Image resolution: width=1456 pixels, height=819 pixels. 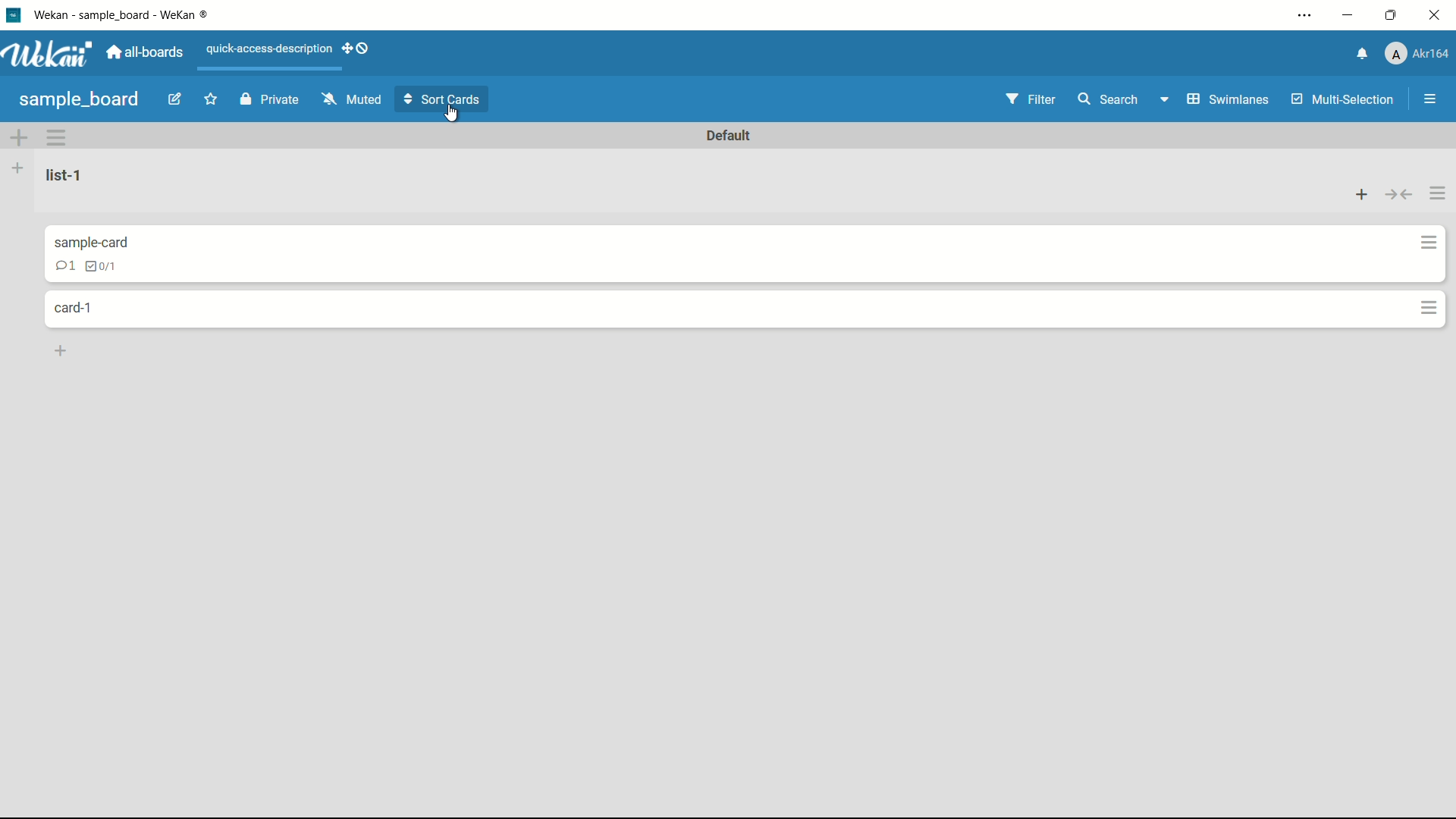 What do you see at coordinates (270, 50) in the screenshot?
I see `quick-access-description` at bounding box center [270, 50].